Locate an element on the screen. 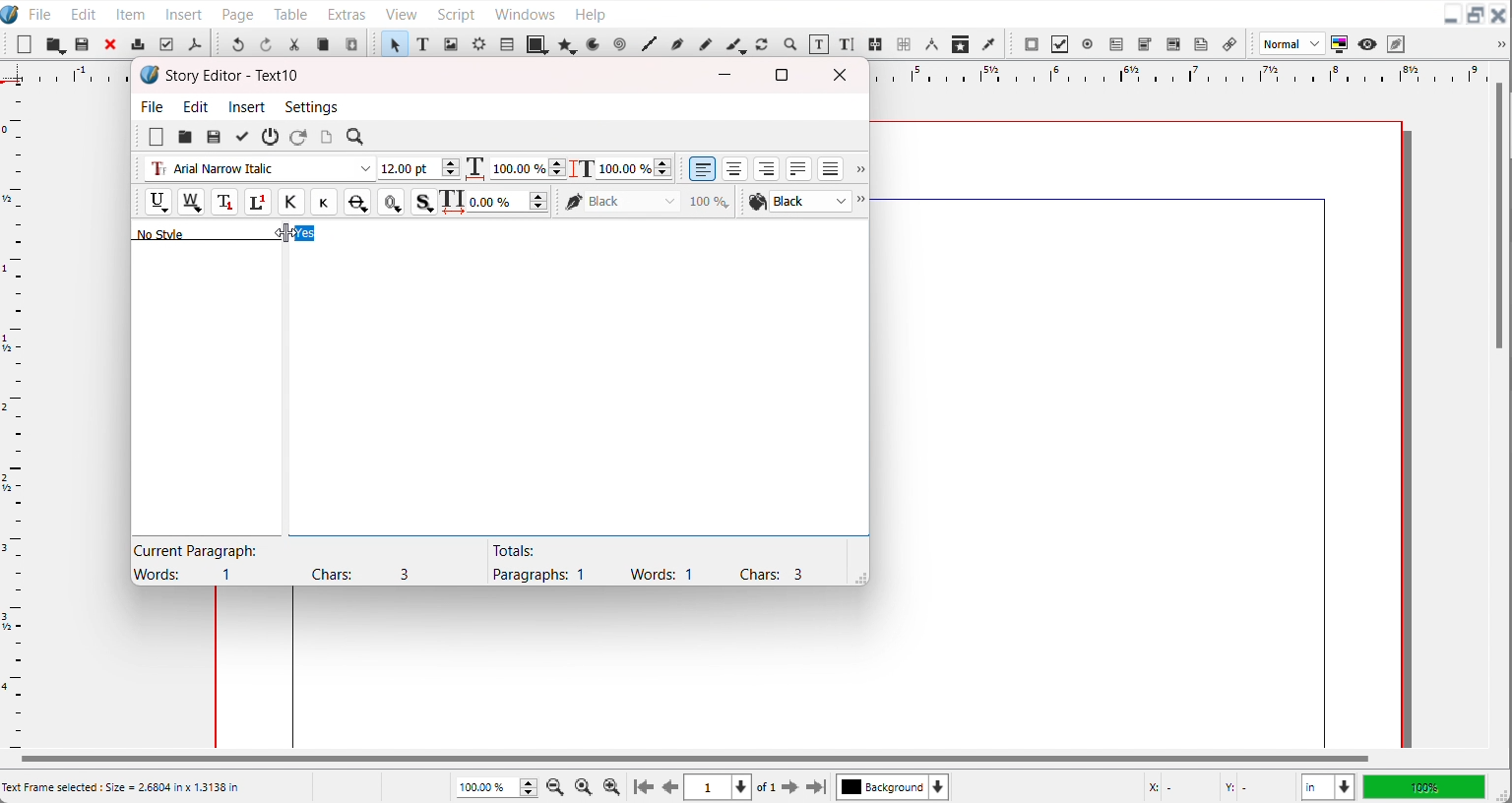  Shadowed Text is located at coordinates (424, 202).